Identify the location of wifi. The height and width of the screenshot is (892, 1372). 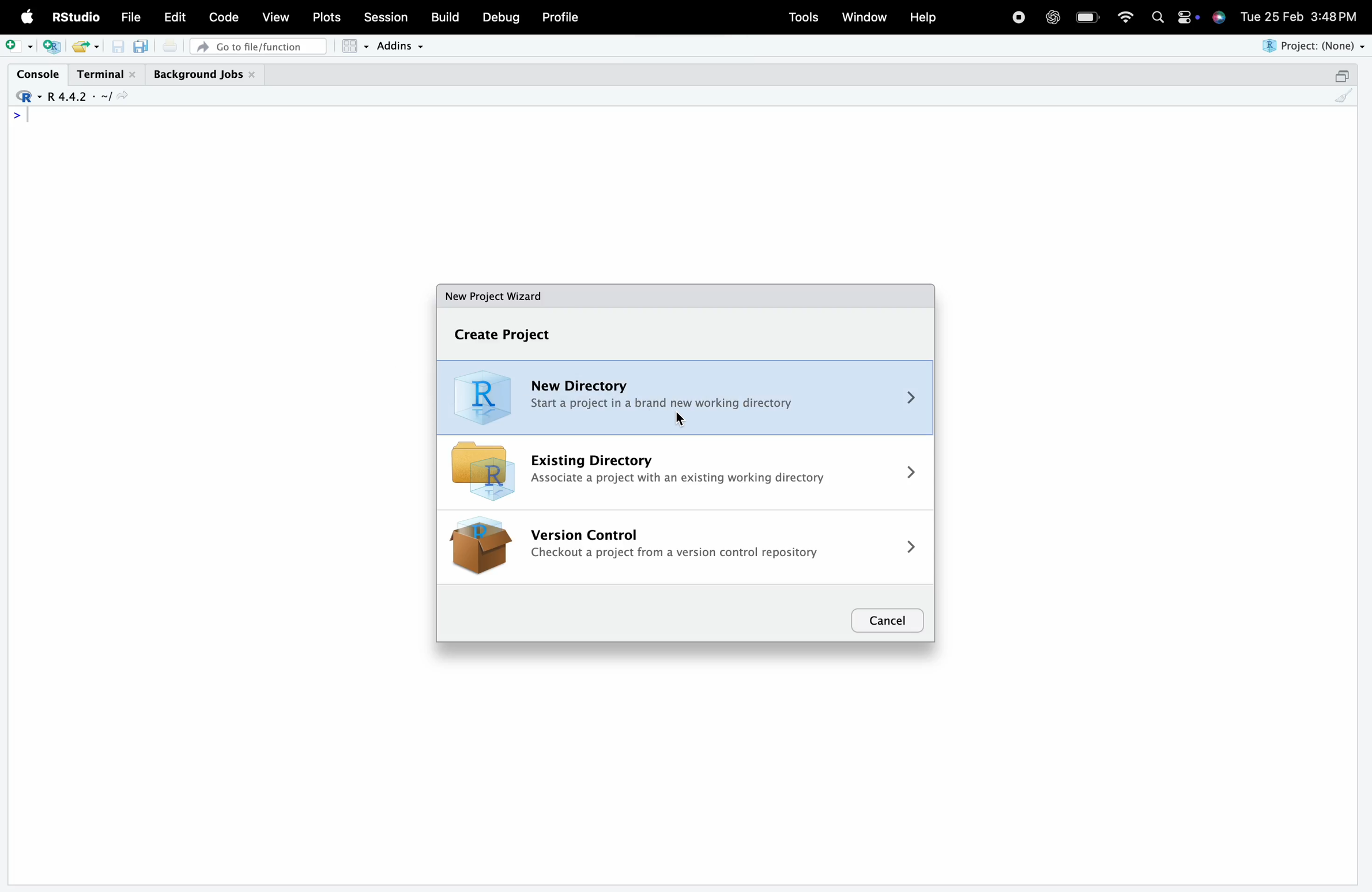
(1125, 16).